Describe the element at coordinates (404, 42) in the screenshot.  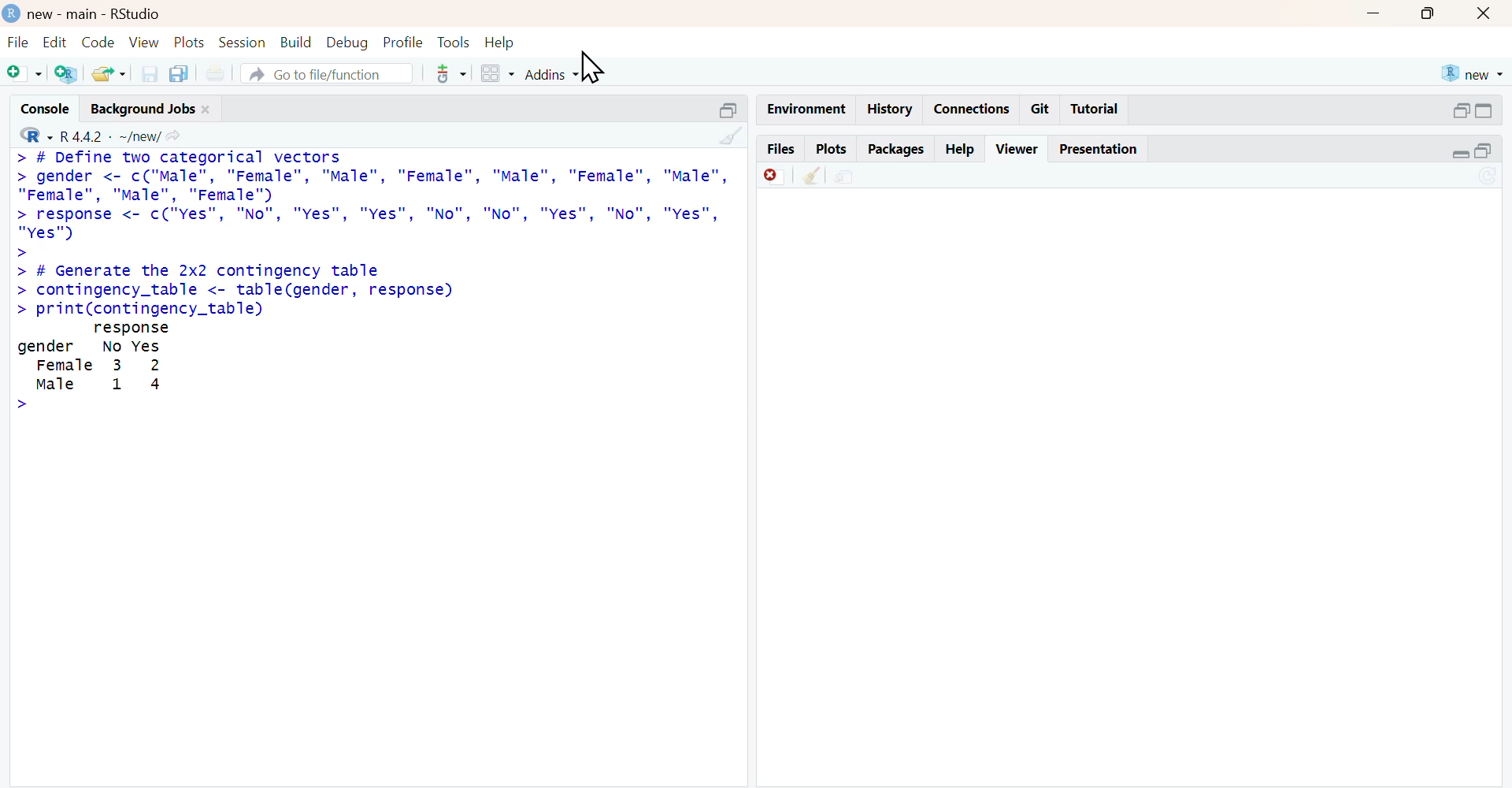
I see `profile` at that location.